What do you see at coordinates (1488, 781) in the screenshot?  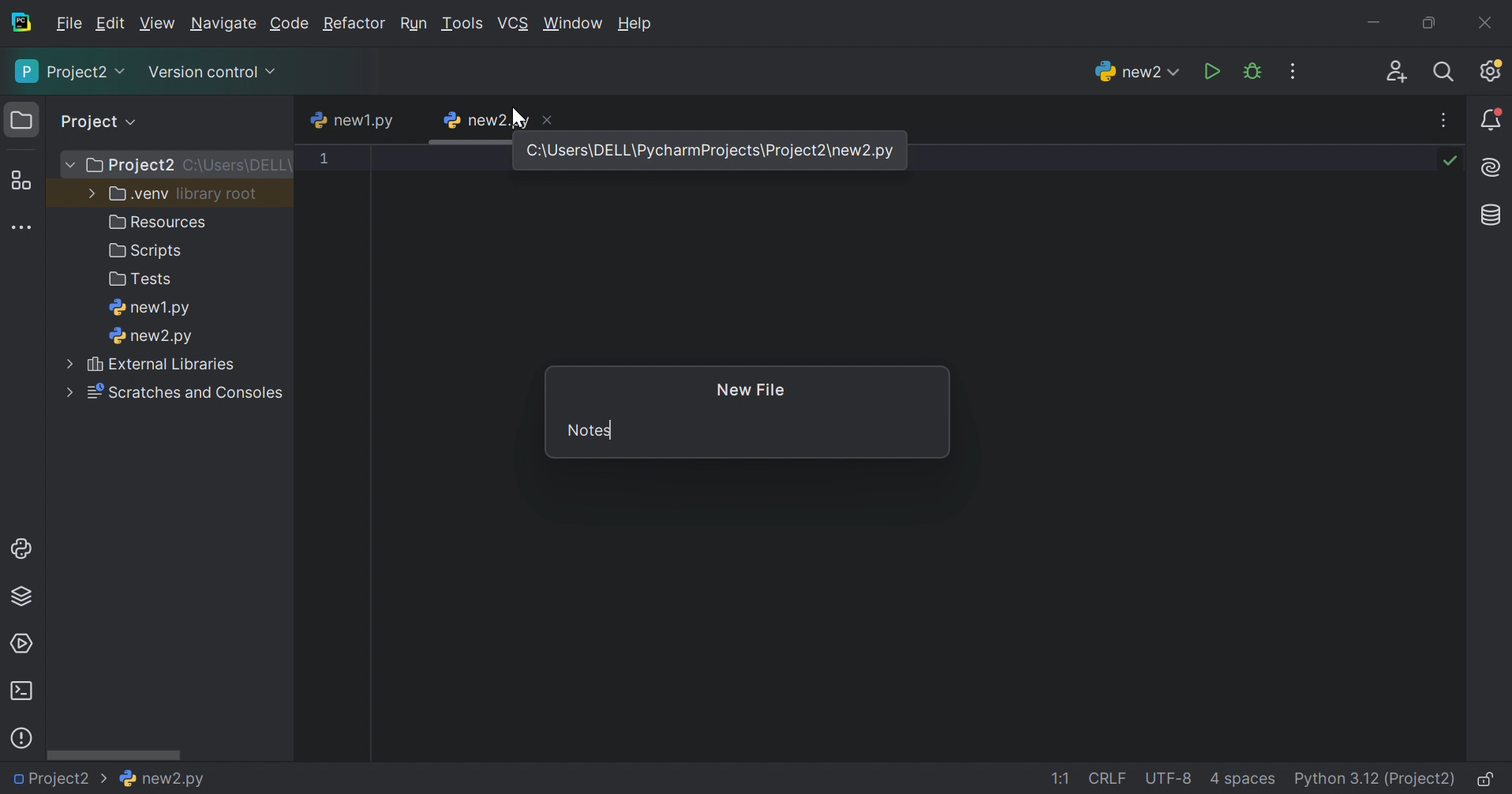 I see `Make file read-only` at bounding box center [1488, 781].